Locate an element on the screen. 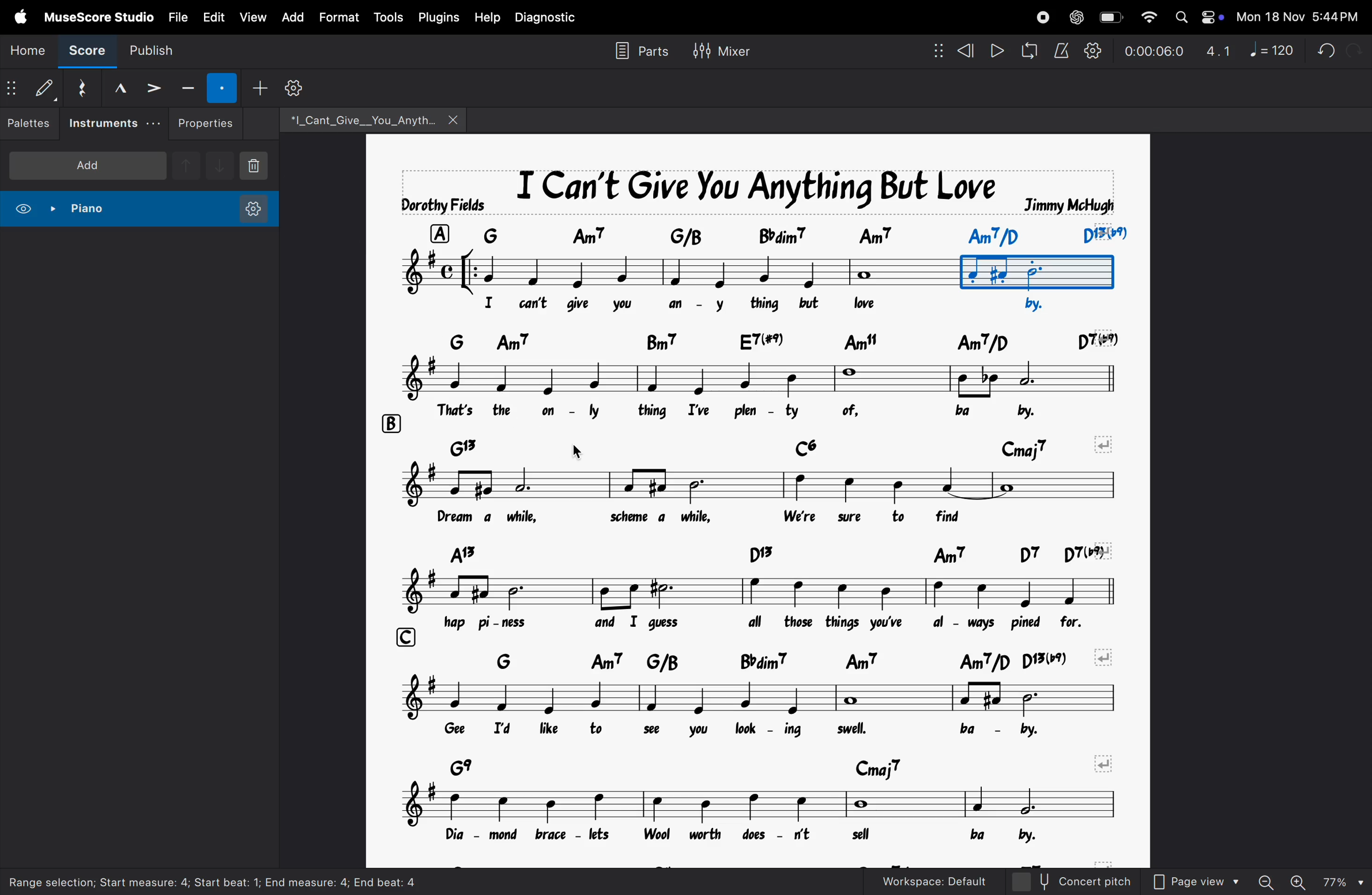 The width and height of the screenshot is (1372, 895). lyrics is located at coordinates (756, 622).